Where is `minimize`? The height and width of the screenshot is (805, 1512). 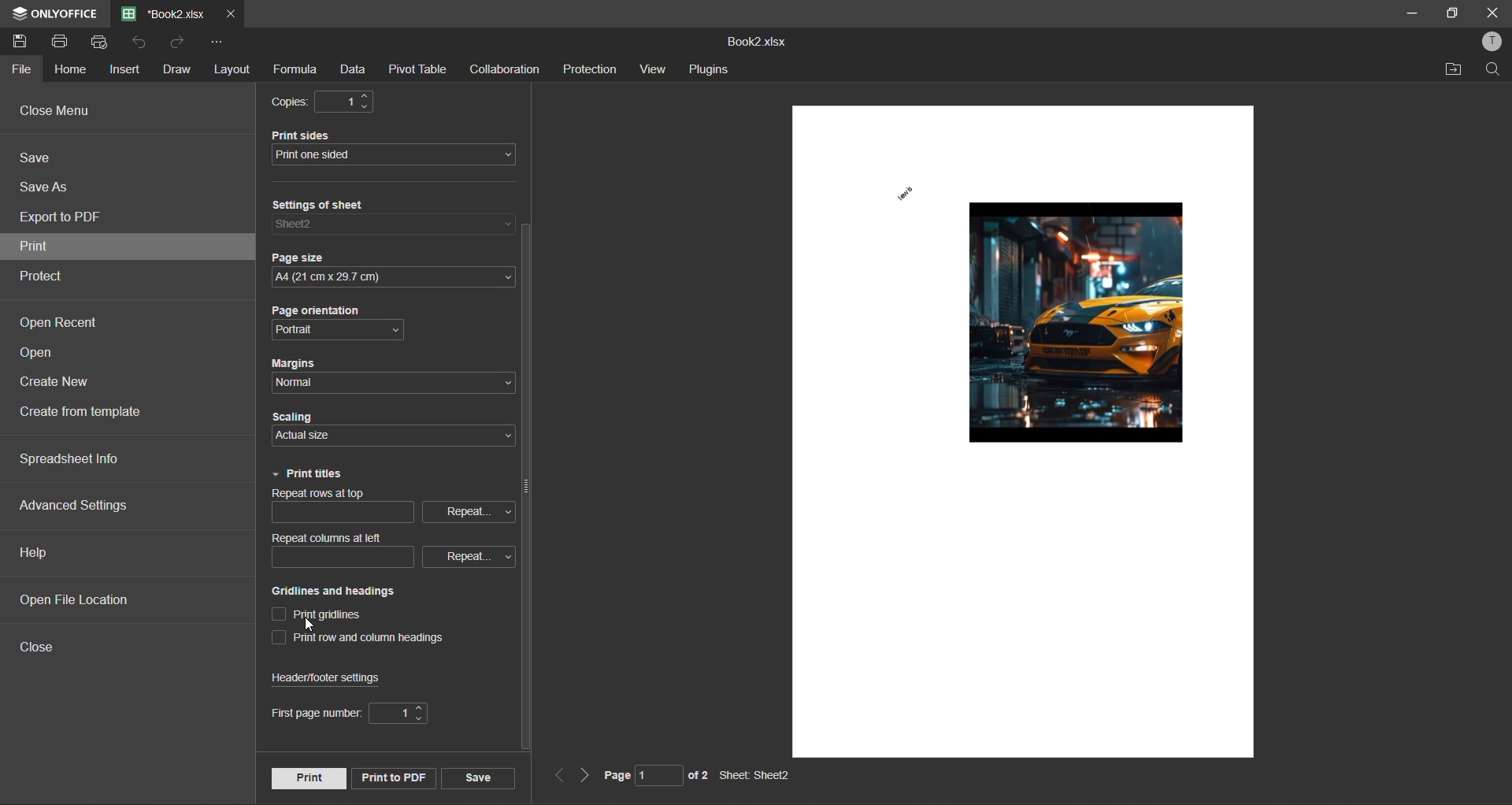
minimize is located at coordinates (1411, 15).